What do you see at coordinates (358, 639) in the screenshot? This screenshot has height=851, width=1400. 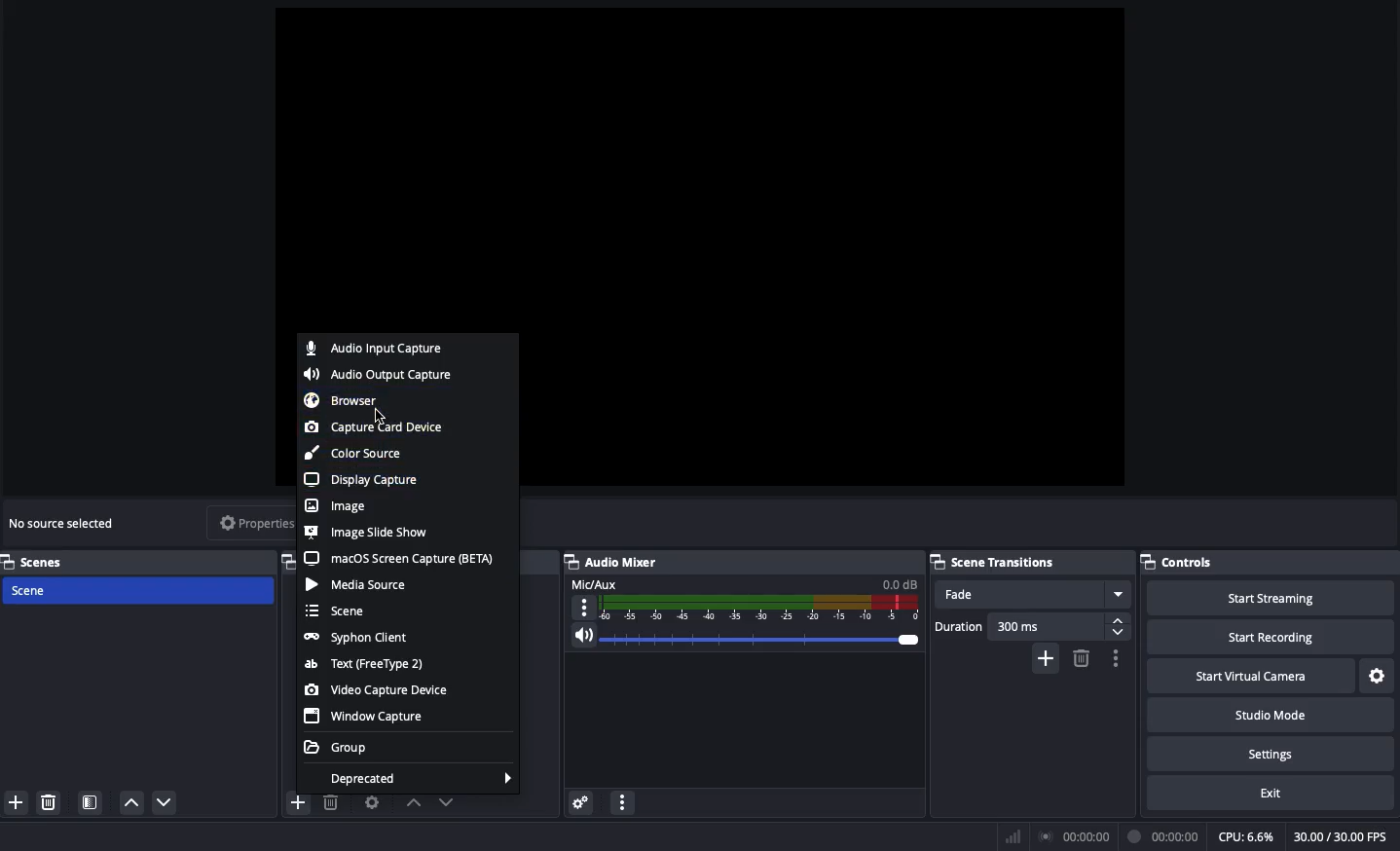 I see `Syphon` at bounding box center [358, 639].